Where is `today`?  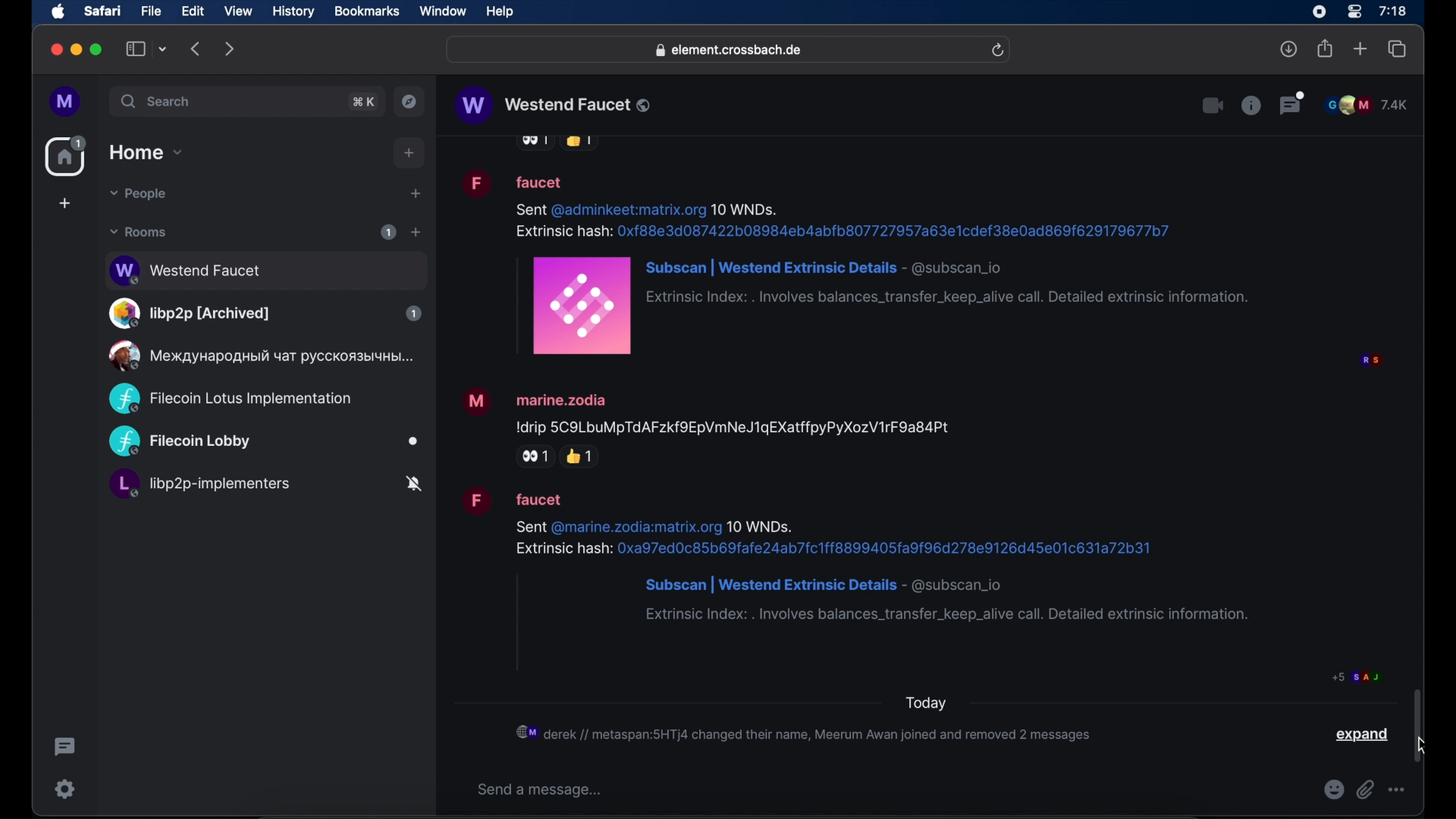 today is located at coordinates (925, 704).